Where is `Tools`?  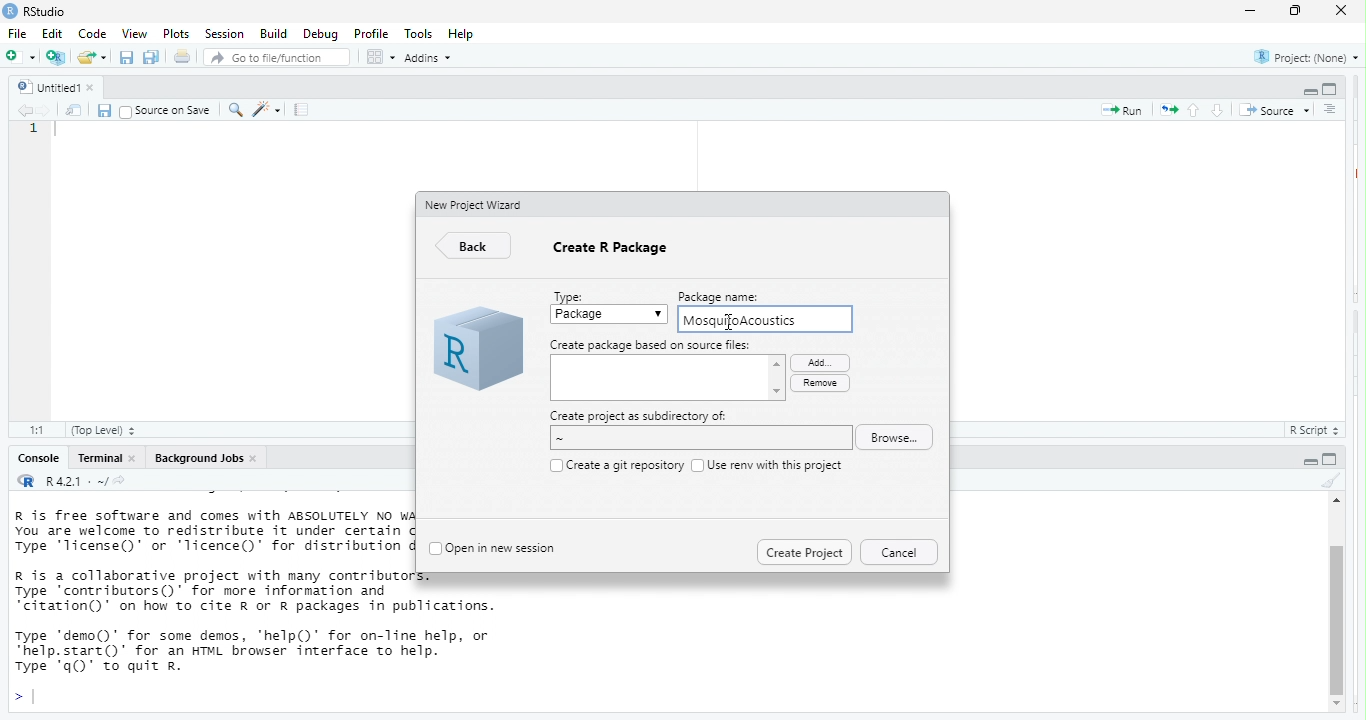 Tools is located at coordinates (418, 35).